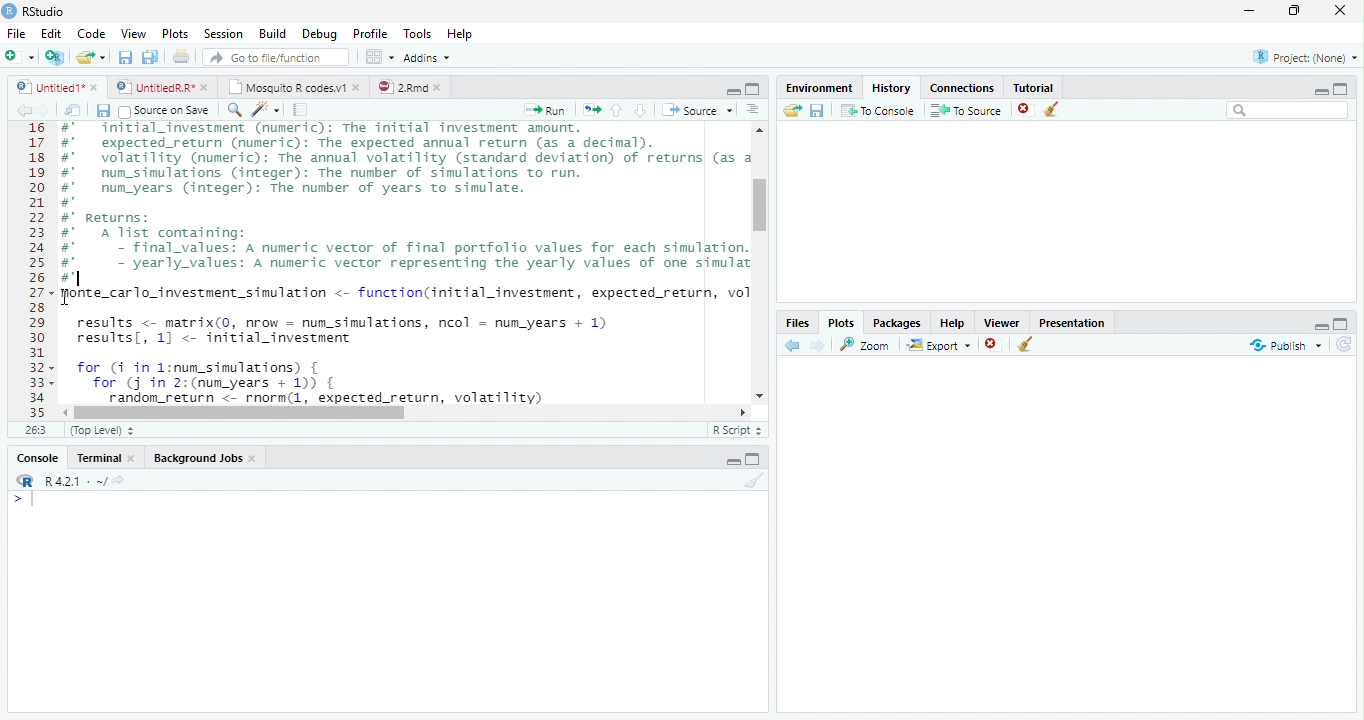  I want to click on Open in new window, so click(73, 110).